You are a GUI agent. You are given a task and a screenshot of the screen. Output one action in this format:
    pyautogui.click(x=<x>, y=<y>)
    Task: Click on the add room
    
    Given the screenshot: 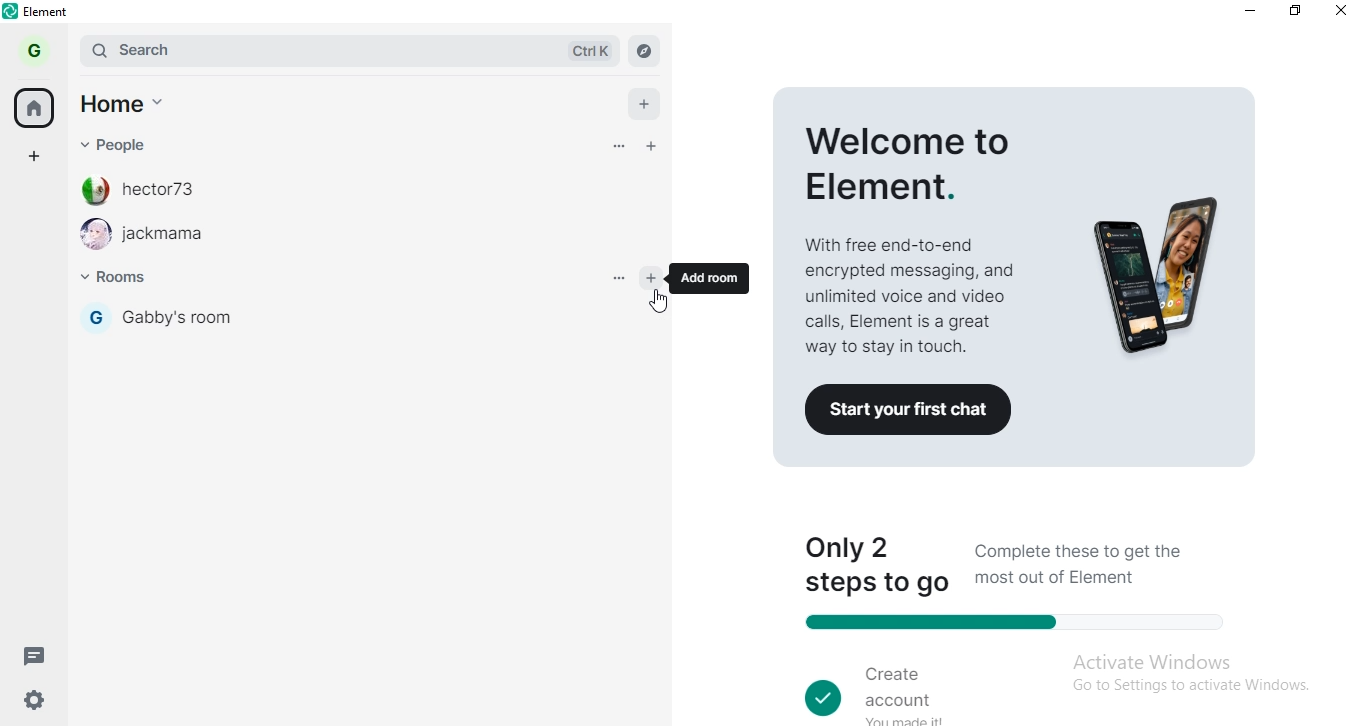 What is the action you would take?
    pyautogui.click(x=715, y=279)
    